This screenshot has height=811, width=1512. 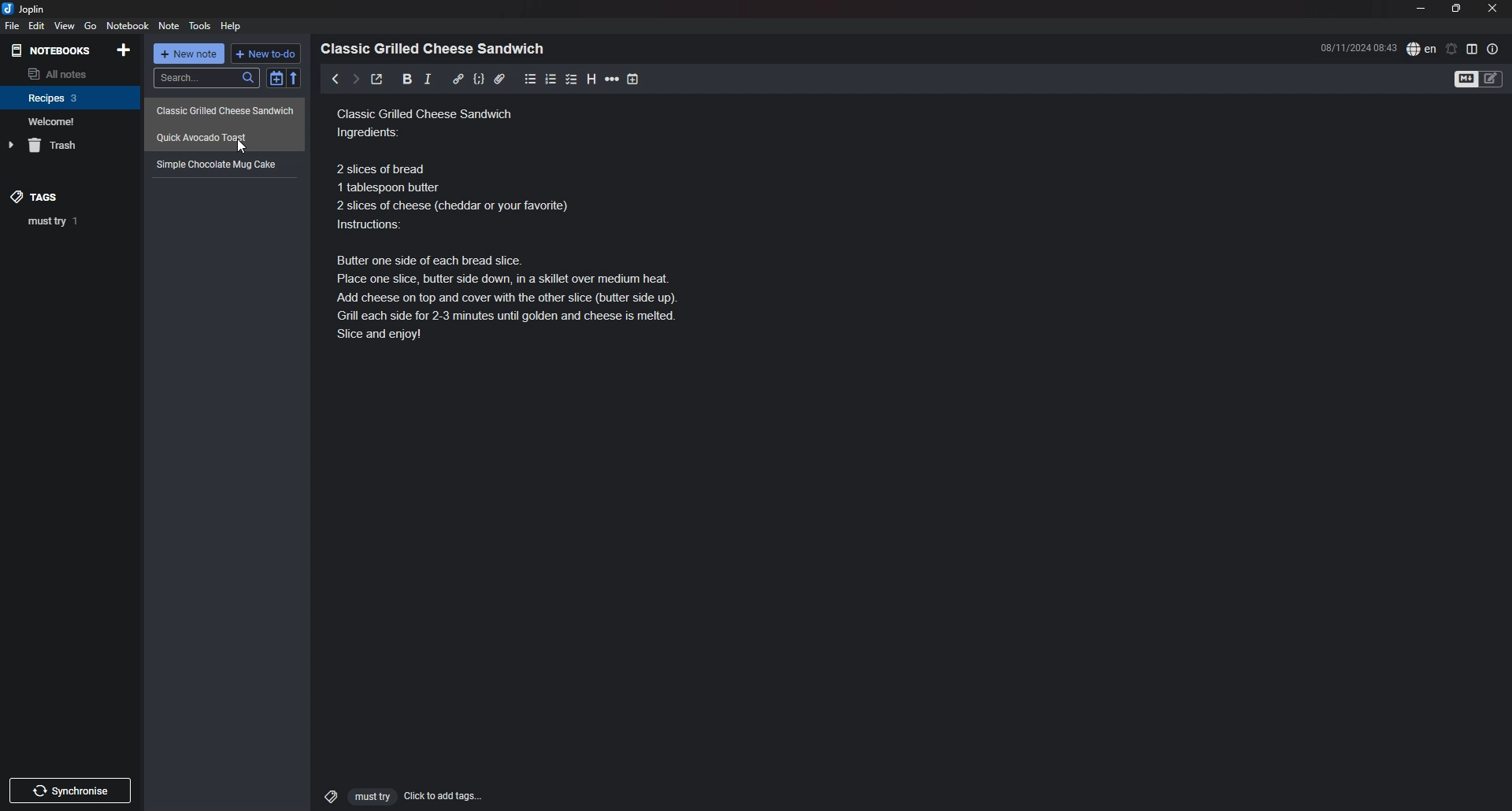 I want to click on minimize, so click(x=1421, y=9).